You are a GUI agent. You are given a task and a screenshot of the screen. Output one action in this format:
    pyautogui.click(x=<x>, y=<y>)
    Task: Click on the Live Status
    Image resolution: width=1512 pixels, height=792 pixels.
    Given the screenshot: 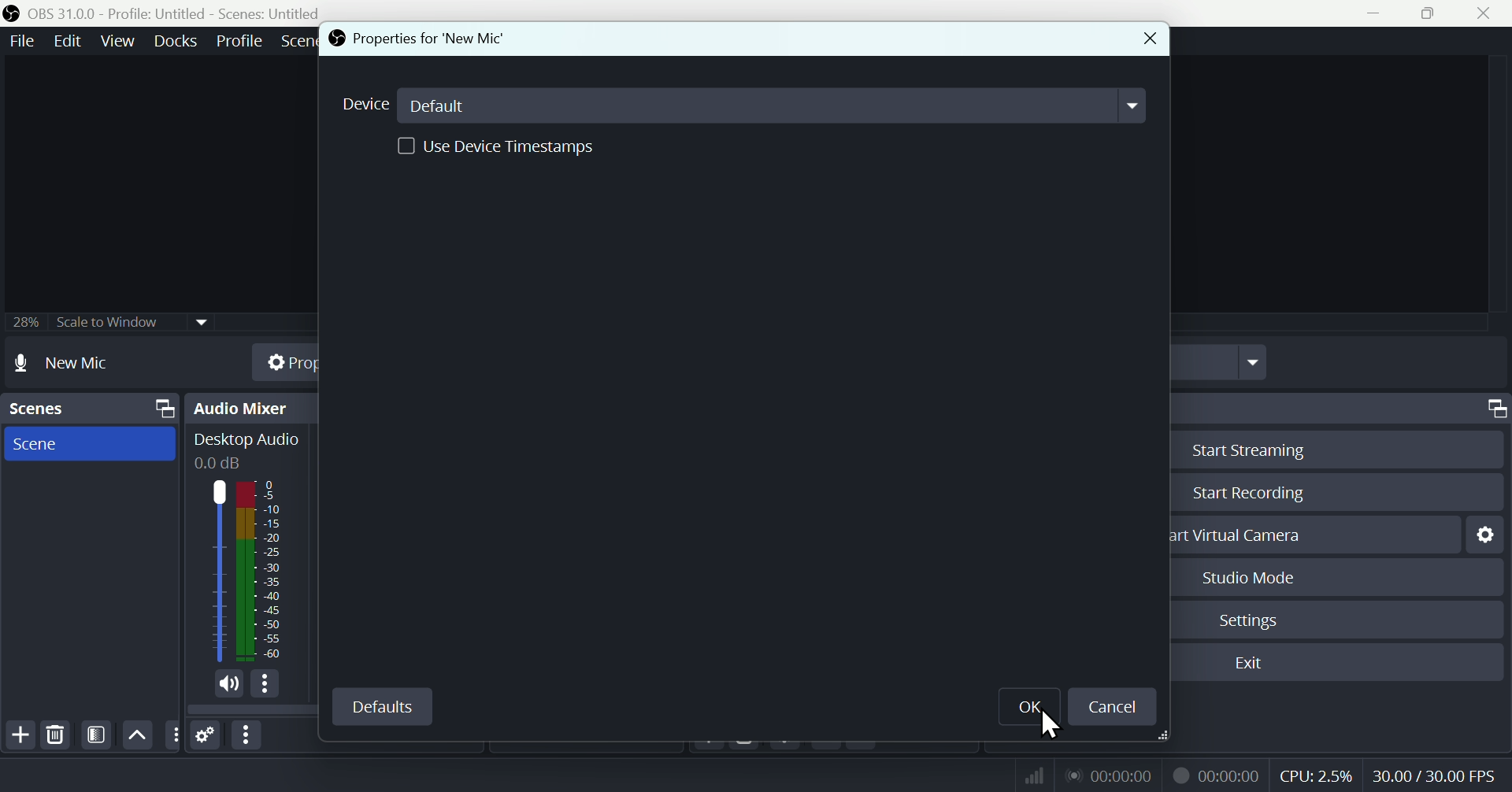 What is the action you would take?
    pyautogui.click(x=1108, y=774)
    